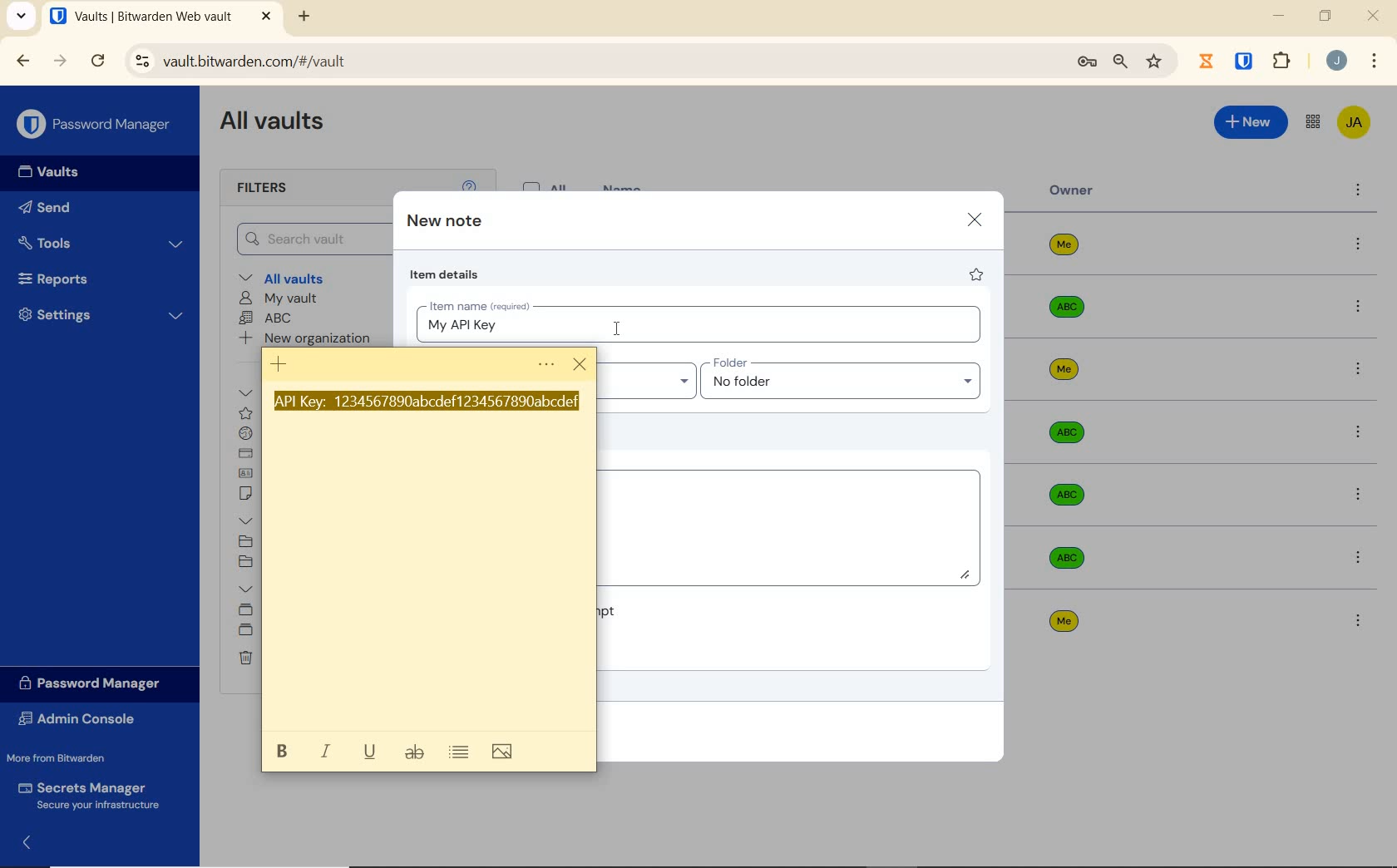 The width and height of the screenshot is (1397, 868). What do you see at coordinates (545, 366) in the screenshot?
I see `Menu` at bounding box center [545, 366].